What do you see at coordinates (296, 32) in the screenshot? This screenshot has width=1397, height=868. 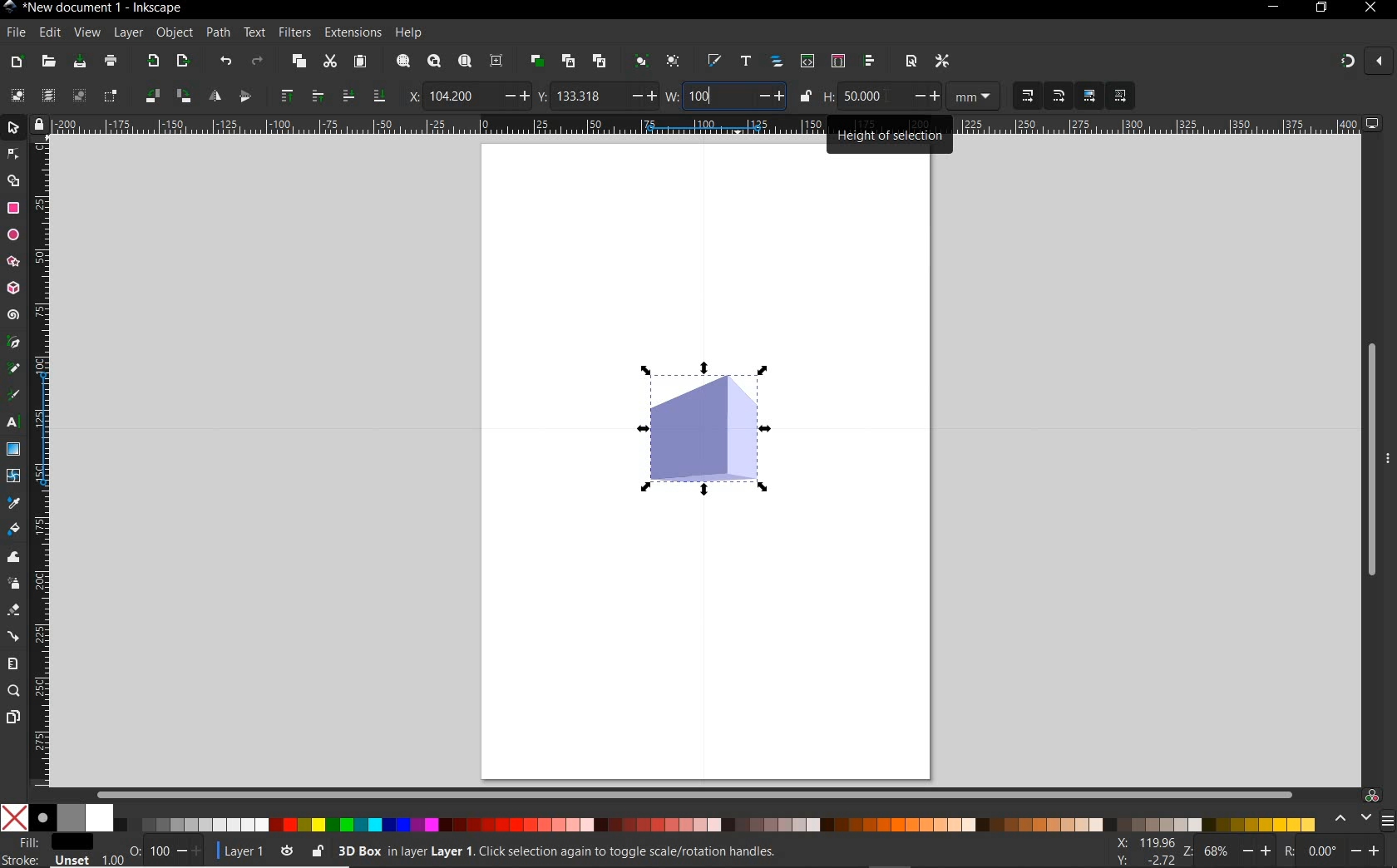 I see `filters` at bounding box center [296, 32].